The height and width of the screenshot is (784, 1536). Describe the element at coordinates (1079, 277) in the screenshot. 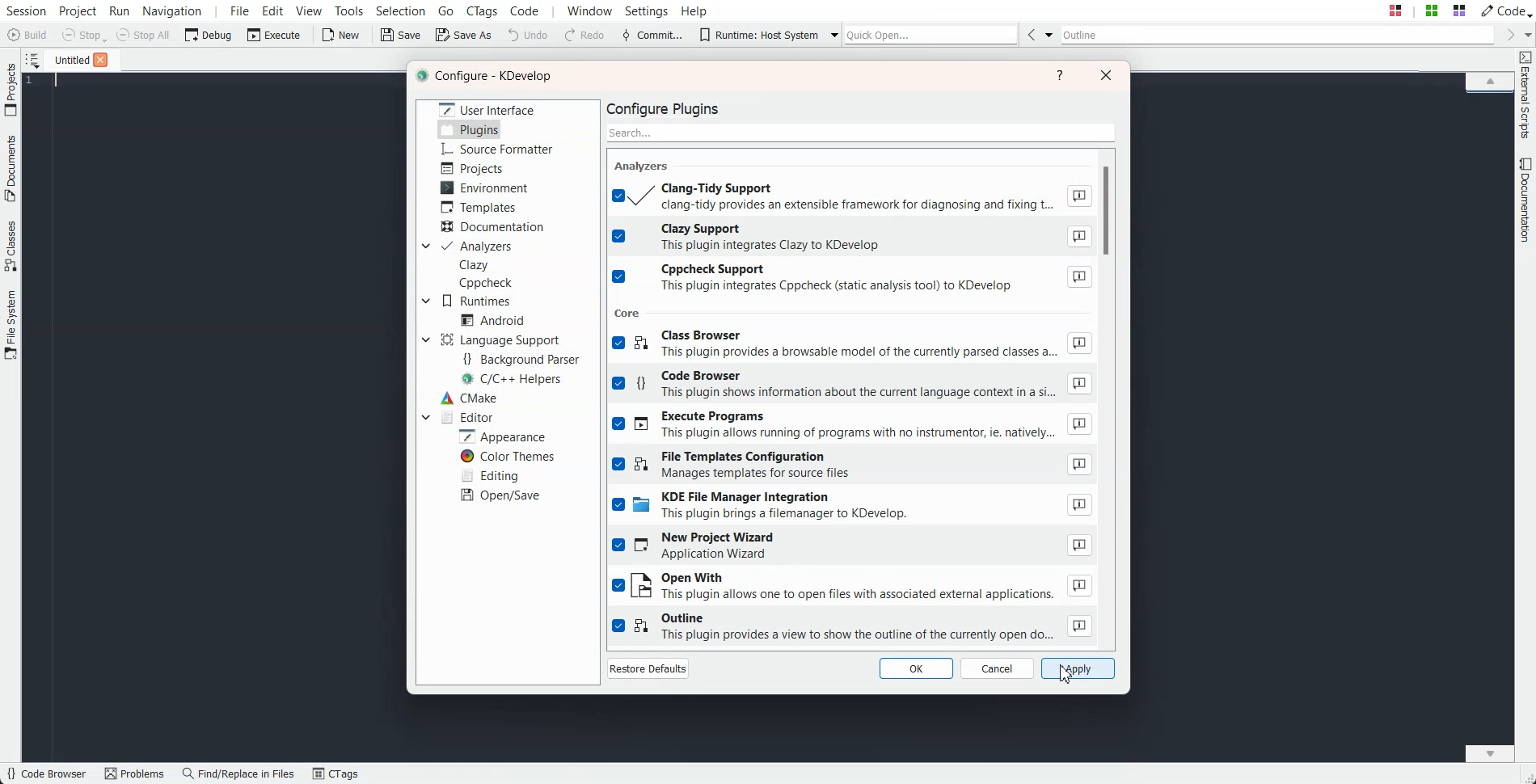

I see `About` at that location.